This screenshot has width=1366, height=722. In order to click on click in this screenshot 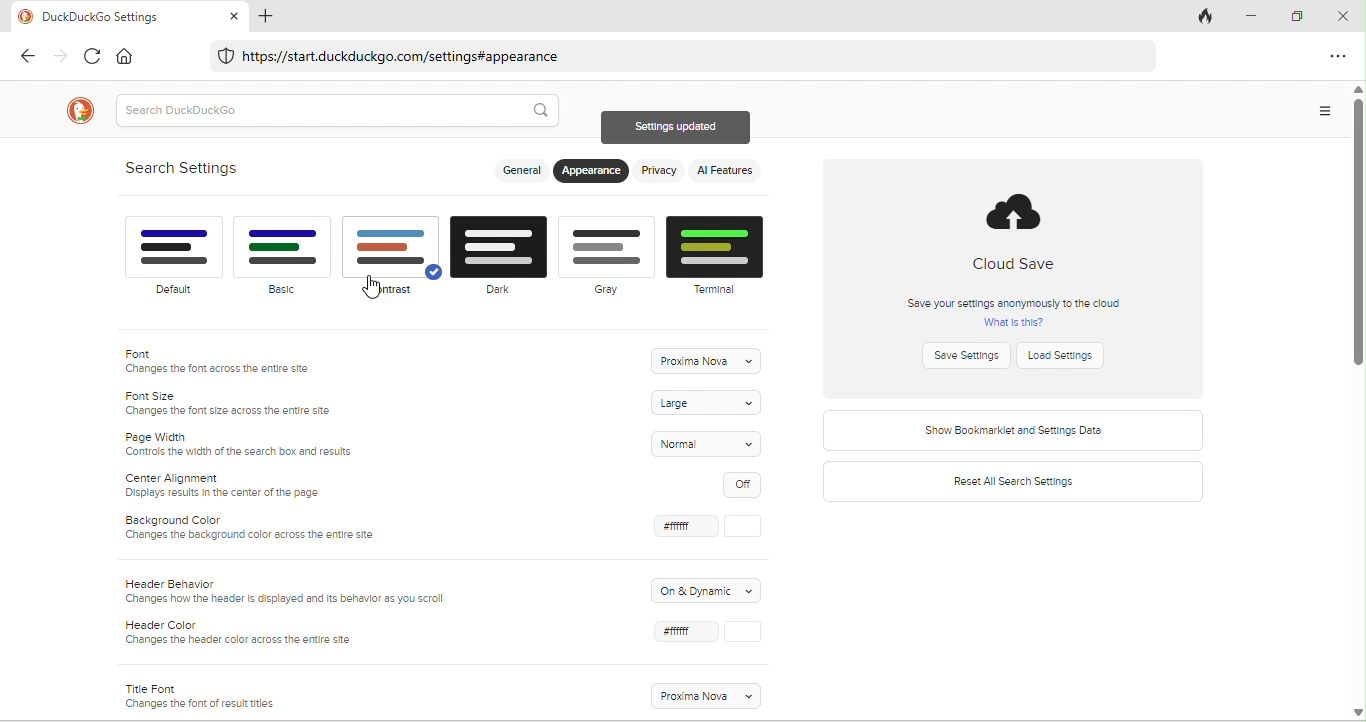, I will do `click(710, 527)`.